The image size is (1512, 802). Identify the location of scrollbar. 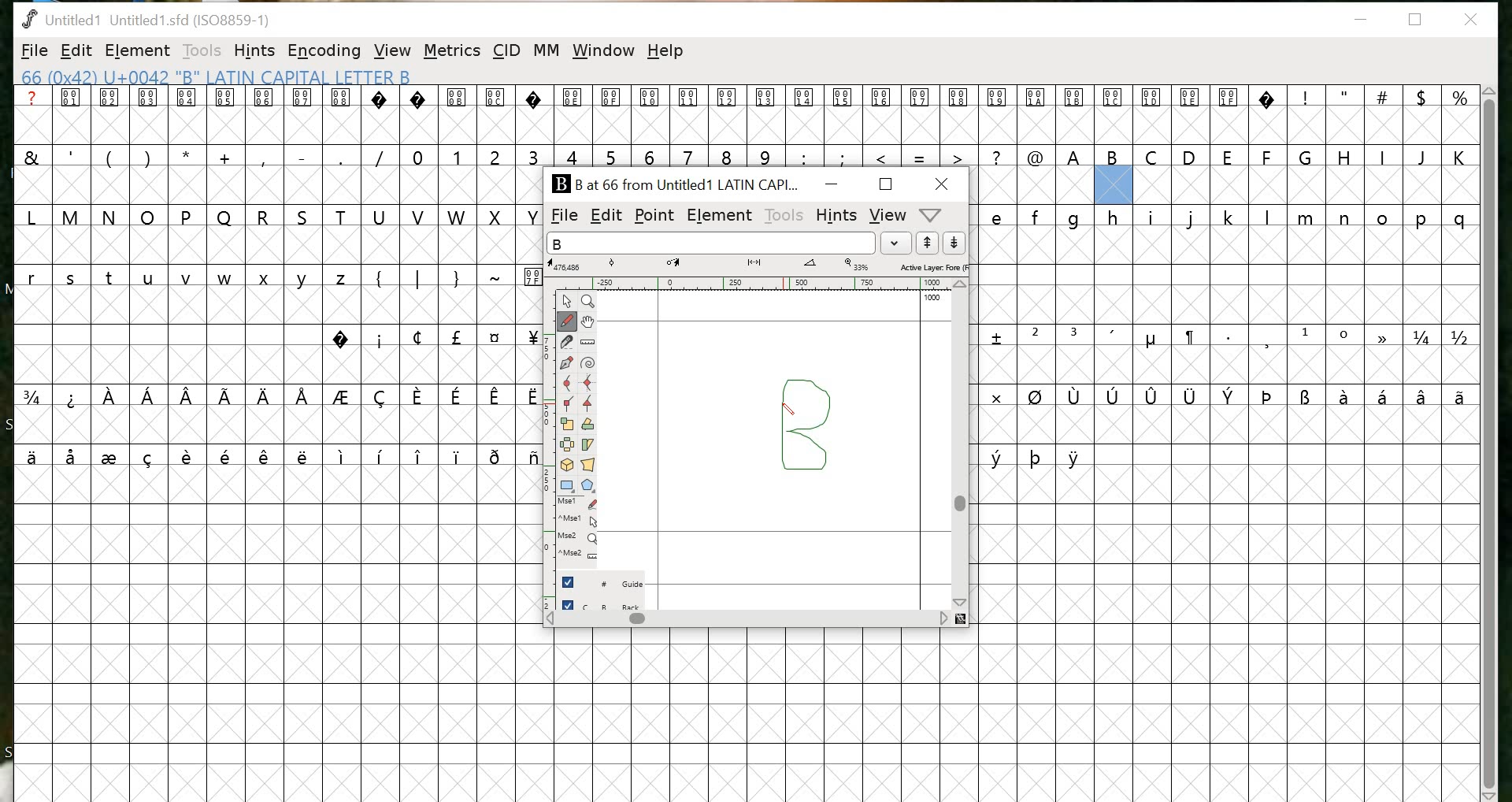
(1489, 442).